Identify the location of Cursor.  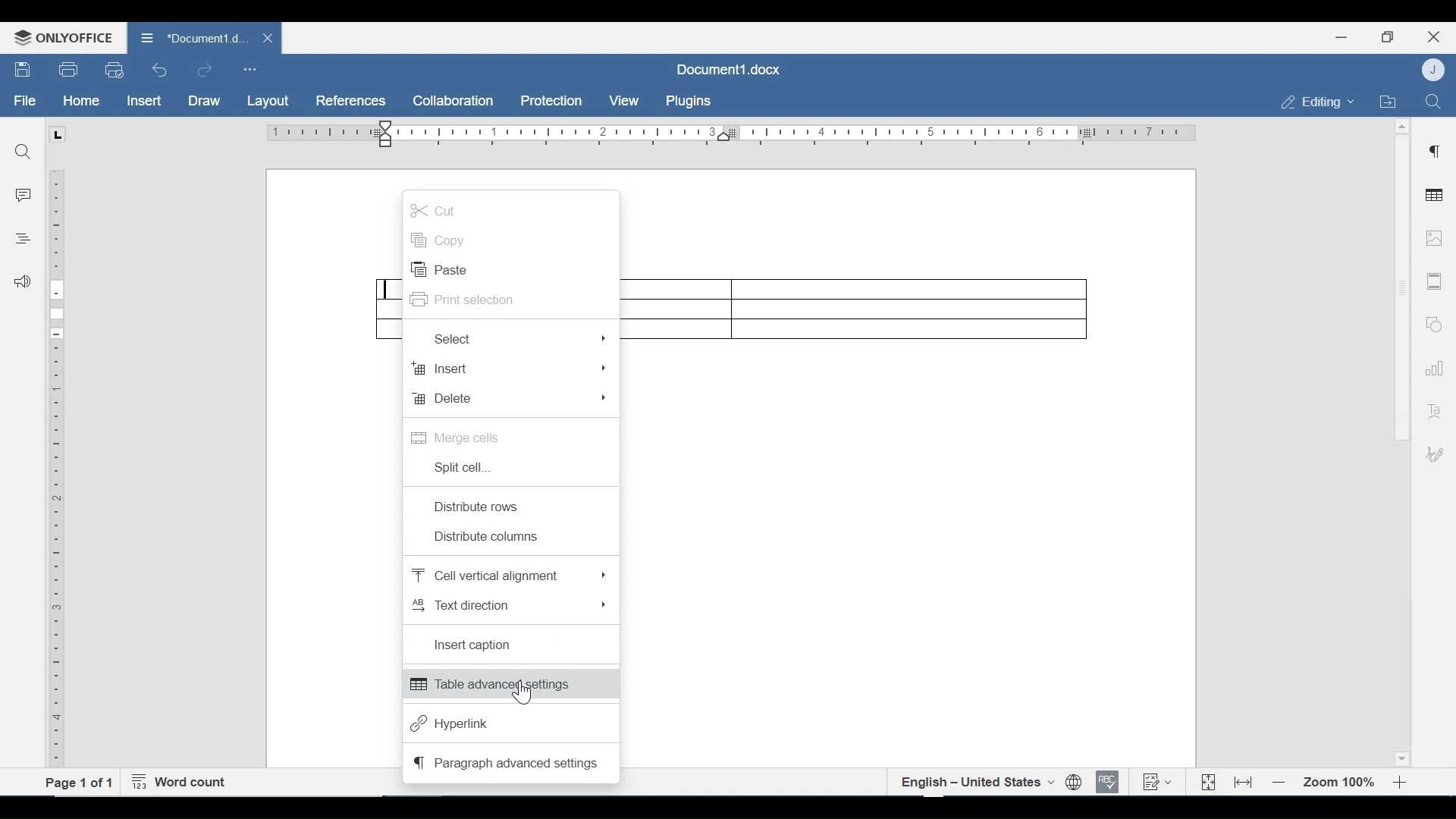
(521, 694).